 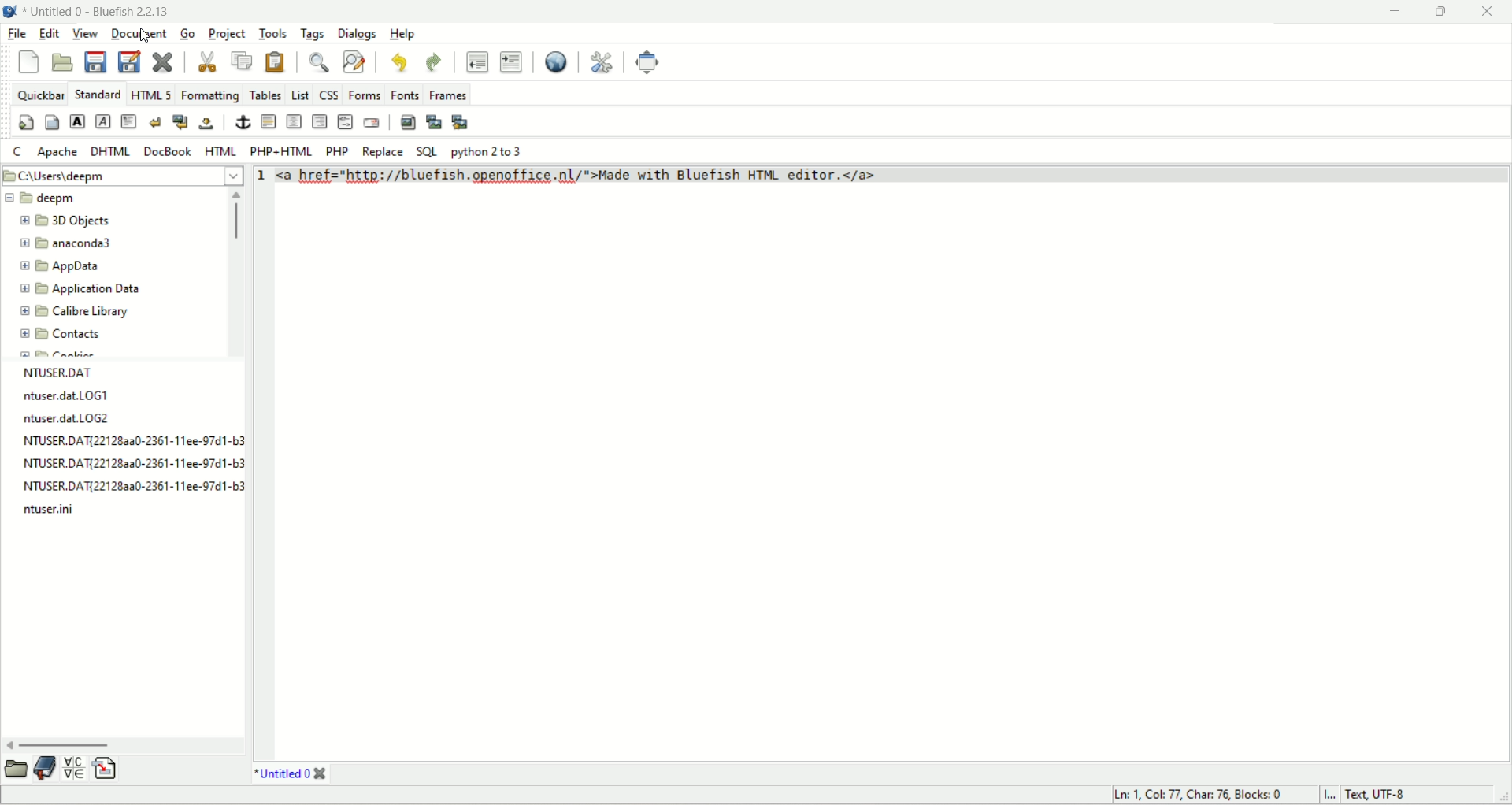 I want to click on formatting, so click(x=209, y=95).